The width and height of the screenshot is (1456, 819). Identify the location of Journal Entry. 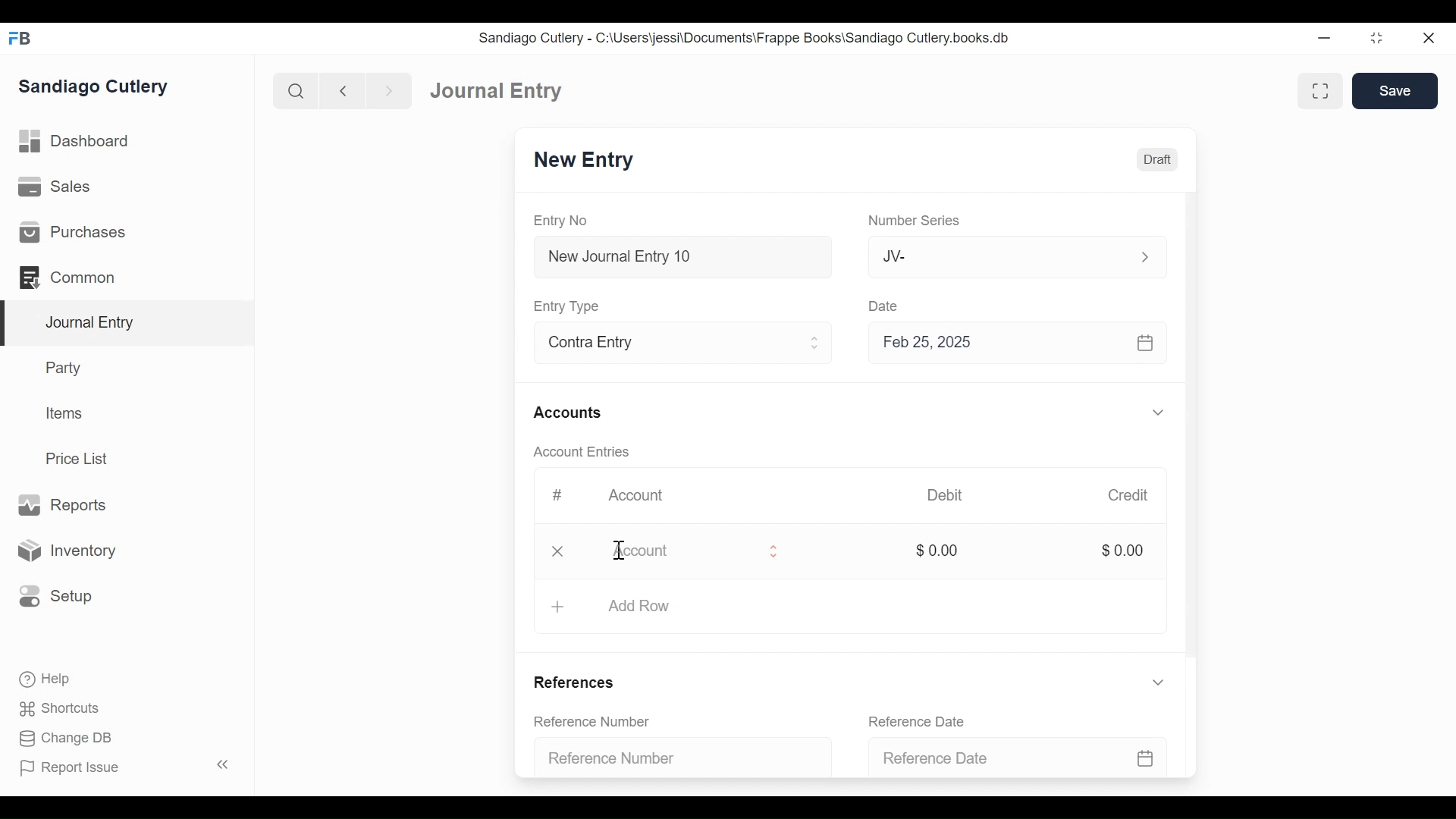
(128, 323).